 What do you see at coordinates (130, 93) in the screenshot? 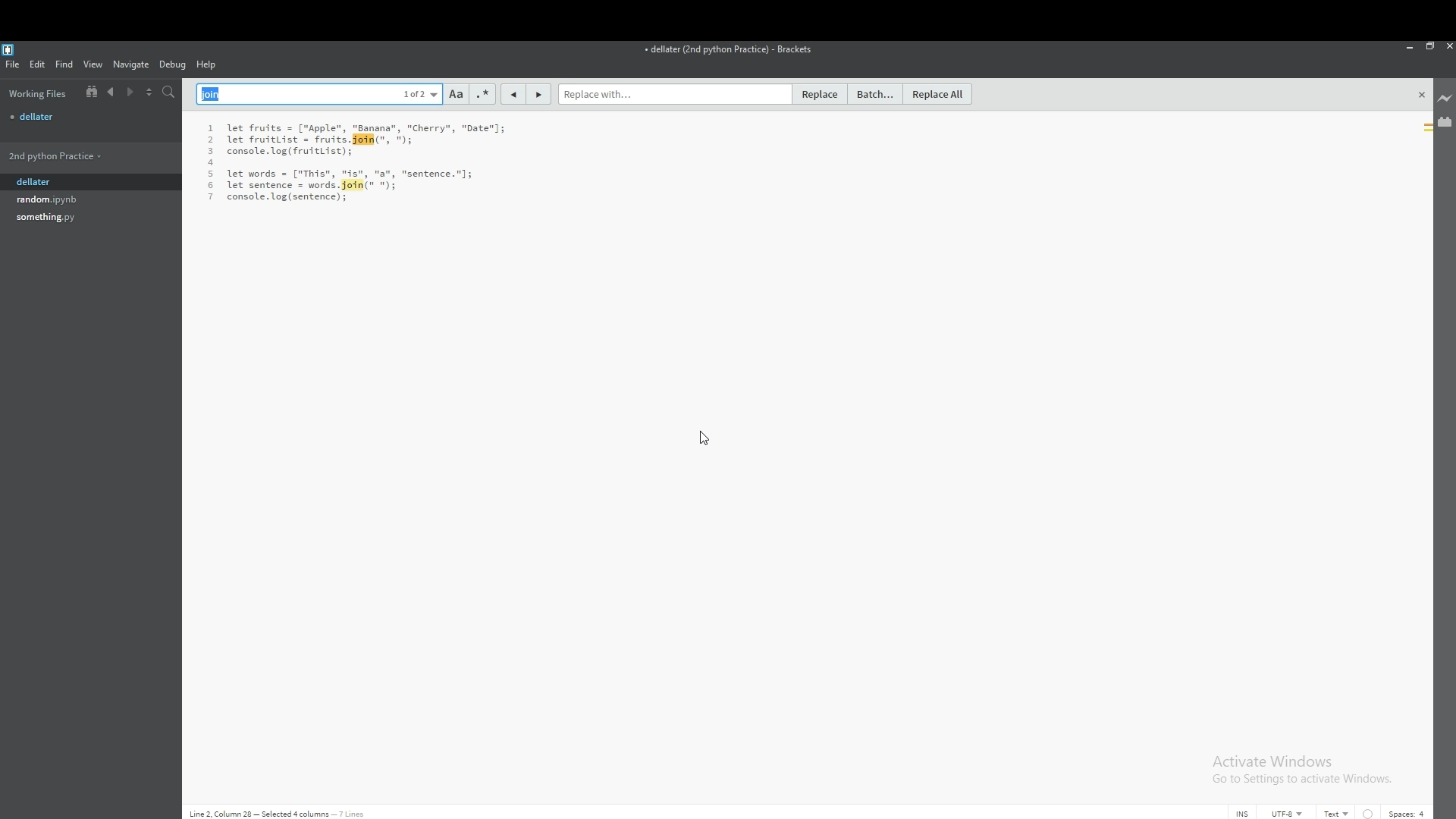
I see `next` at bounding box center [130, 93].